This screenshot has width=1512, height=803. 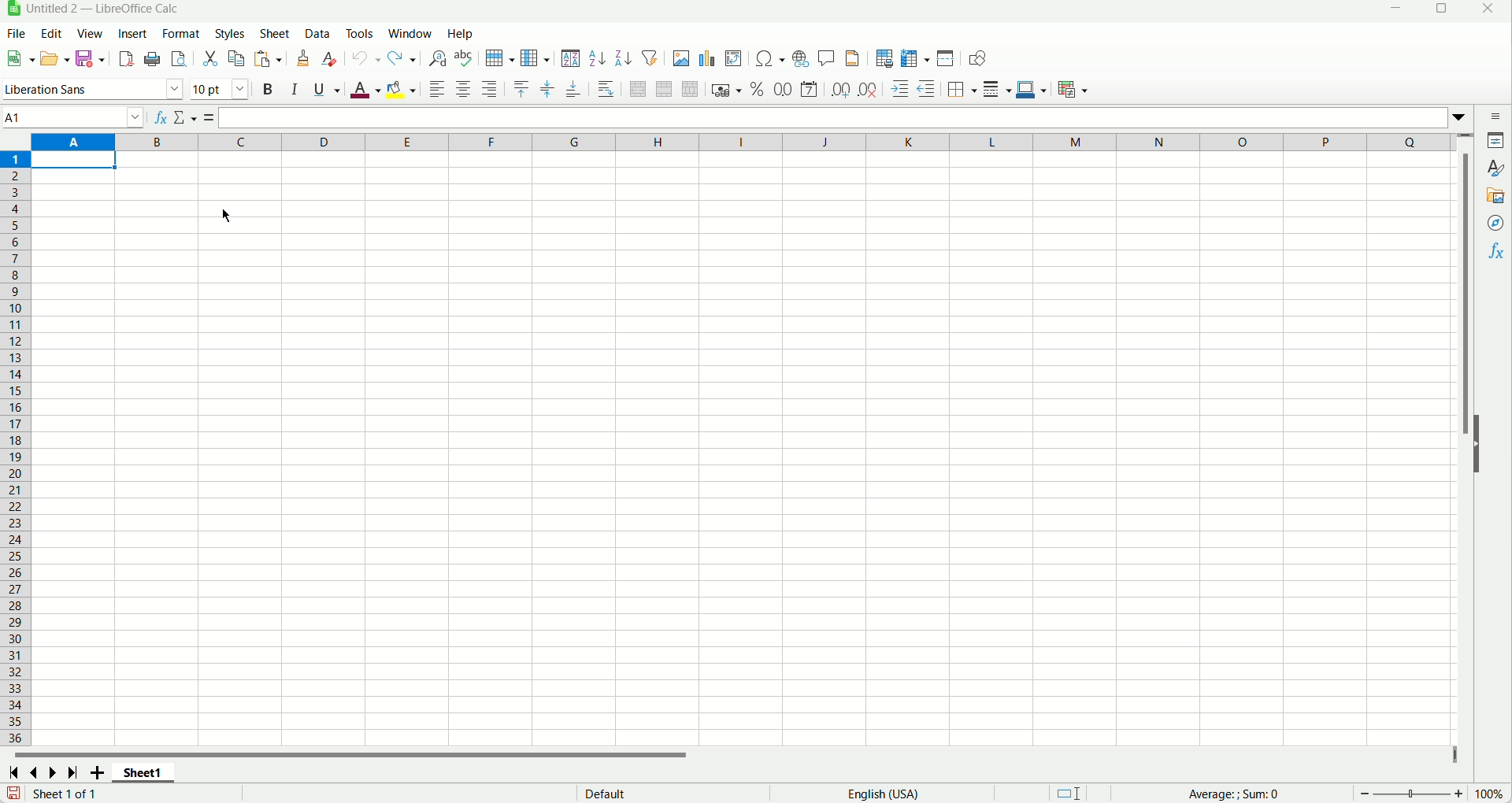 What do you see at coordinates (707, 58) in the screenshot?
I see `Insert chart` at bounding box center [707, 58].